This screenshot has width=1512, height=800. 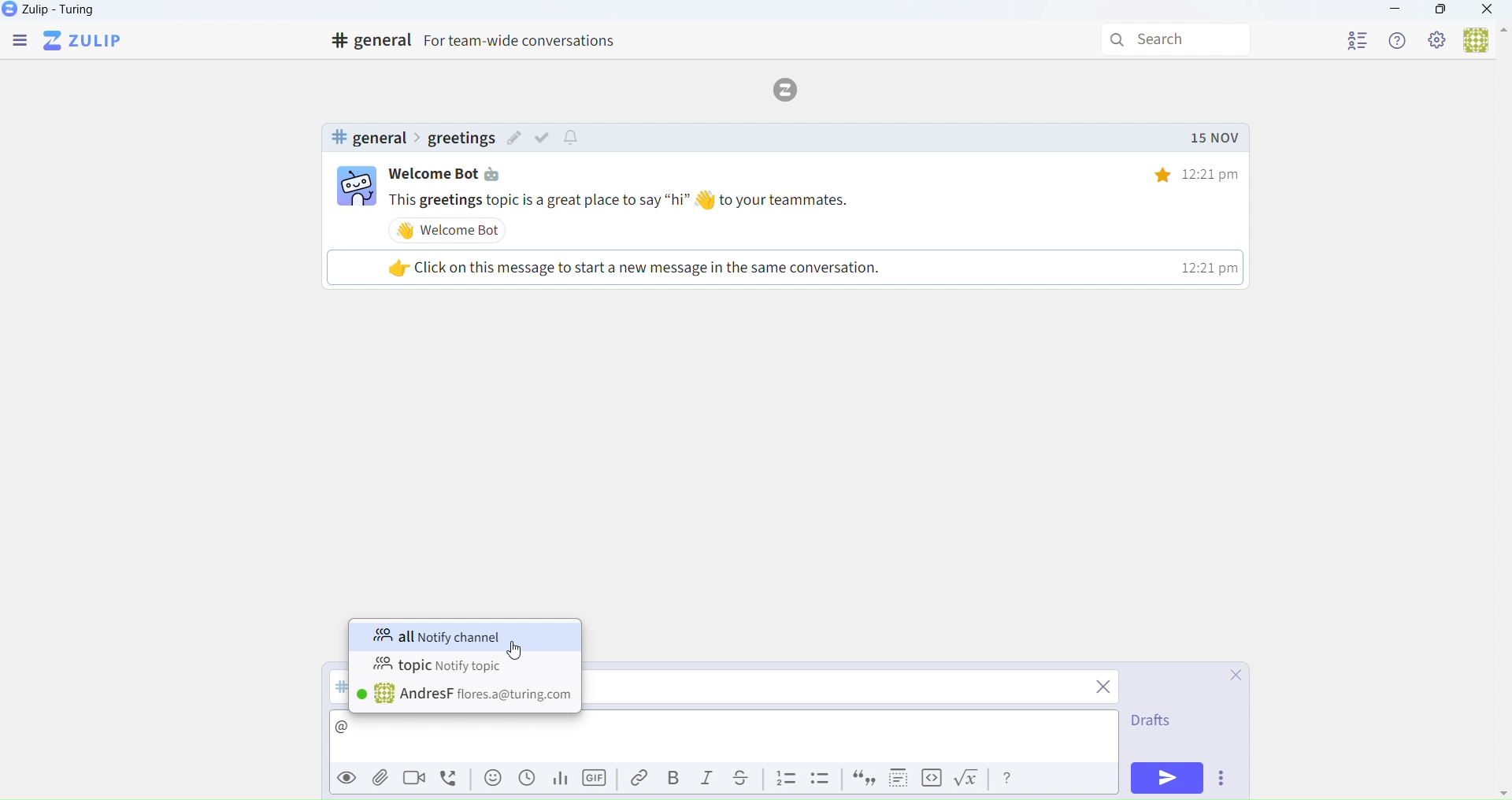 I want to click on greetings, so click(x=460, y=139).